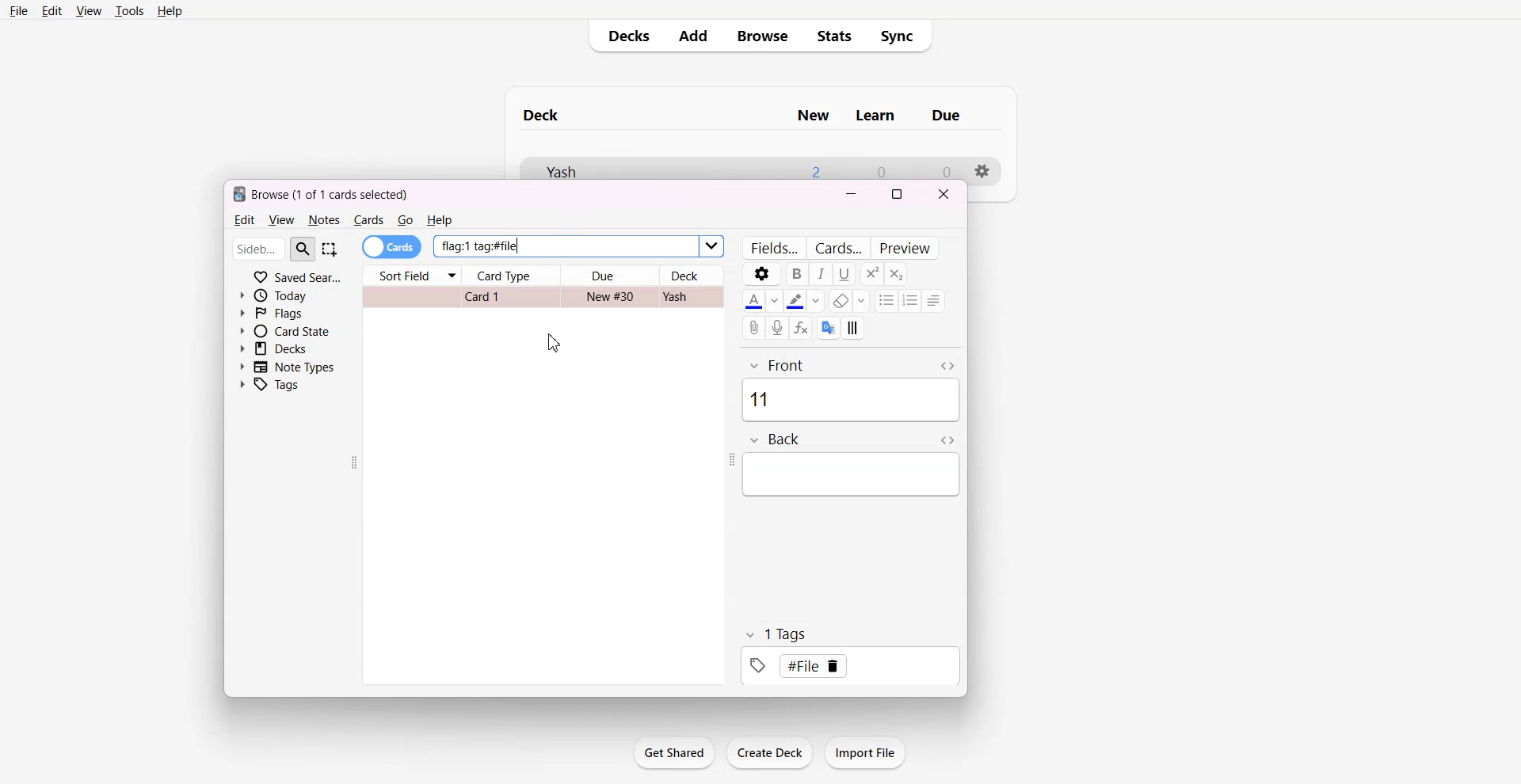  I want to click on Card 1, so click(493, 299).